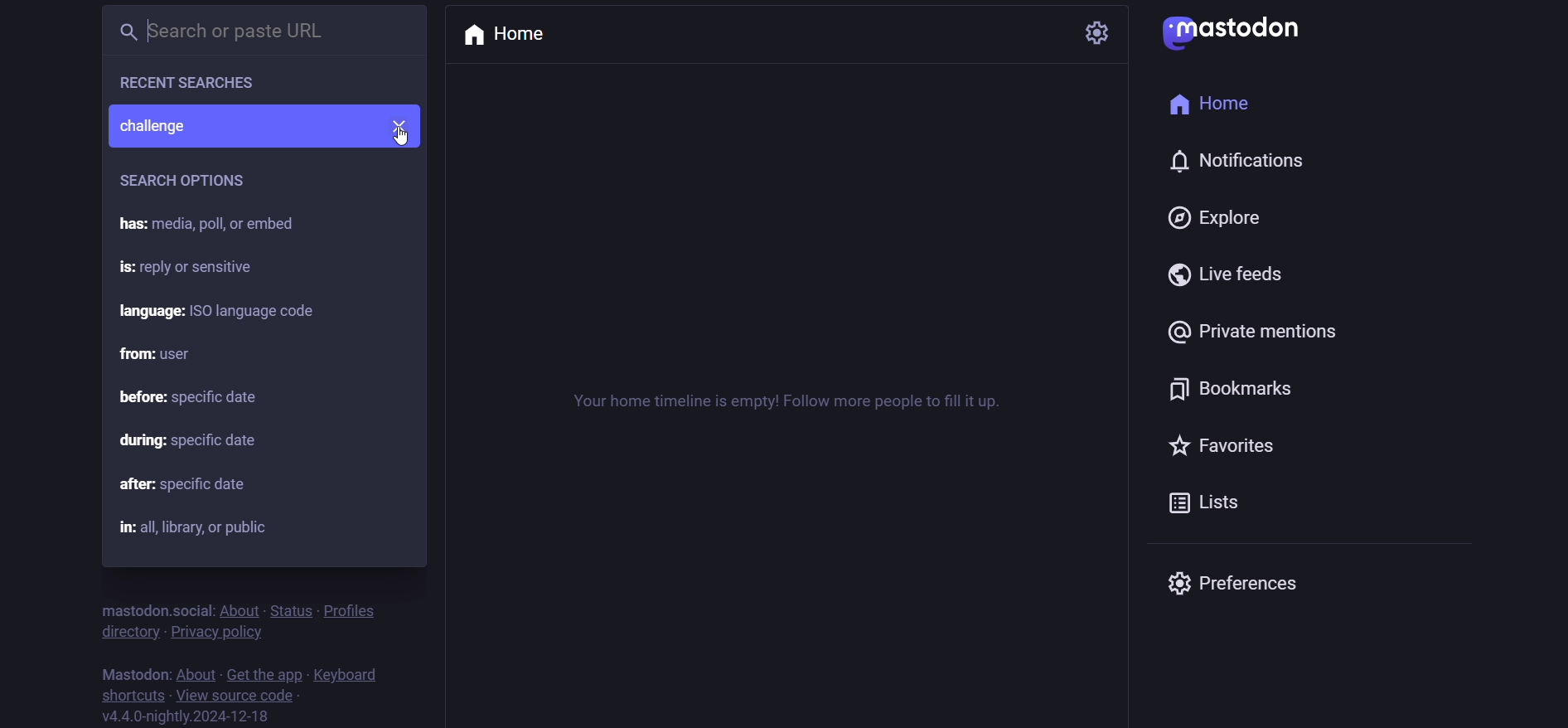 Image resolution: width=1568 pixels, height=728 pixels. Describe the element at coordinates (1209, 500) in the screenshot. I see `list` at that location.